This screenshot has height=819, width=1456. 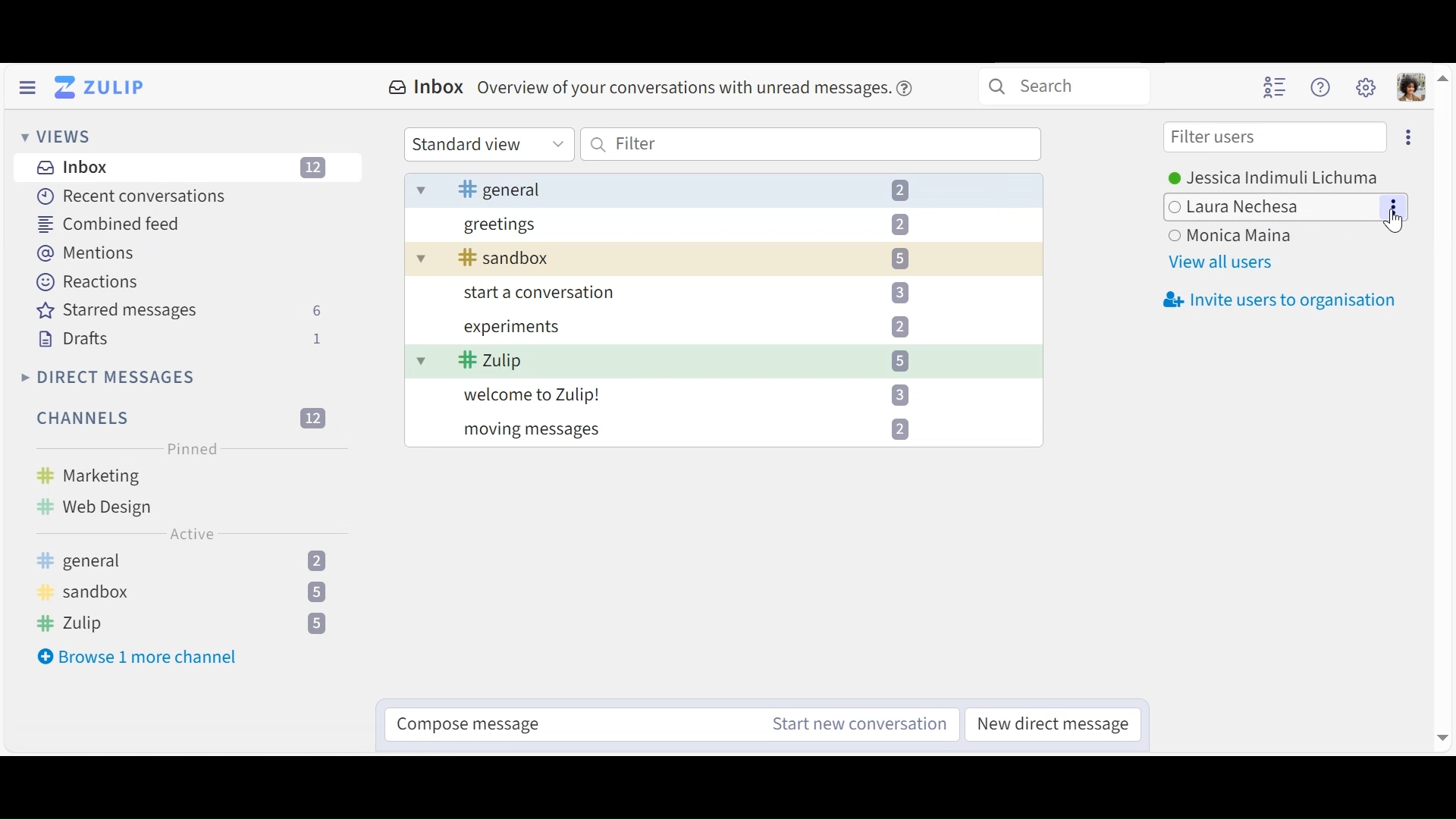 I want to click on more options, so click(x=1409, y=137).